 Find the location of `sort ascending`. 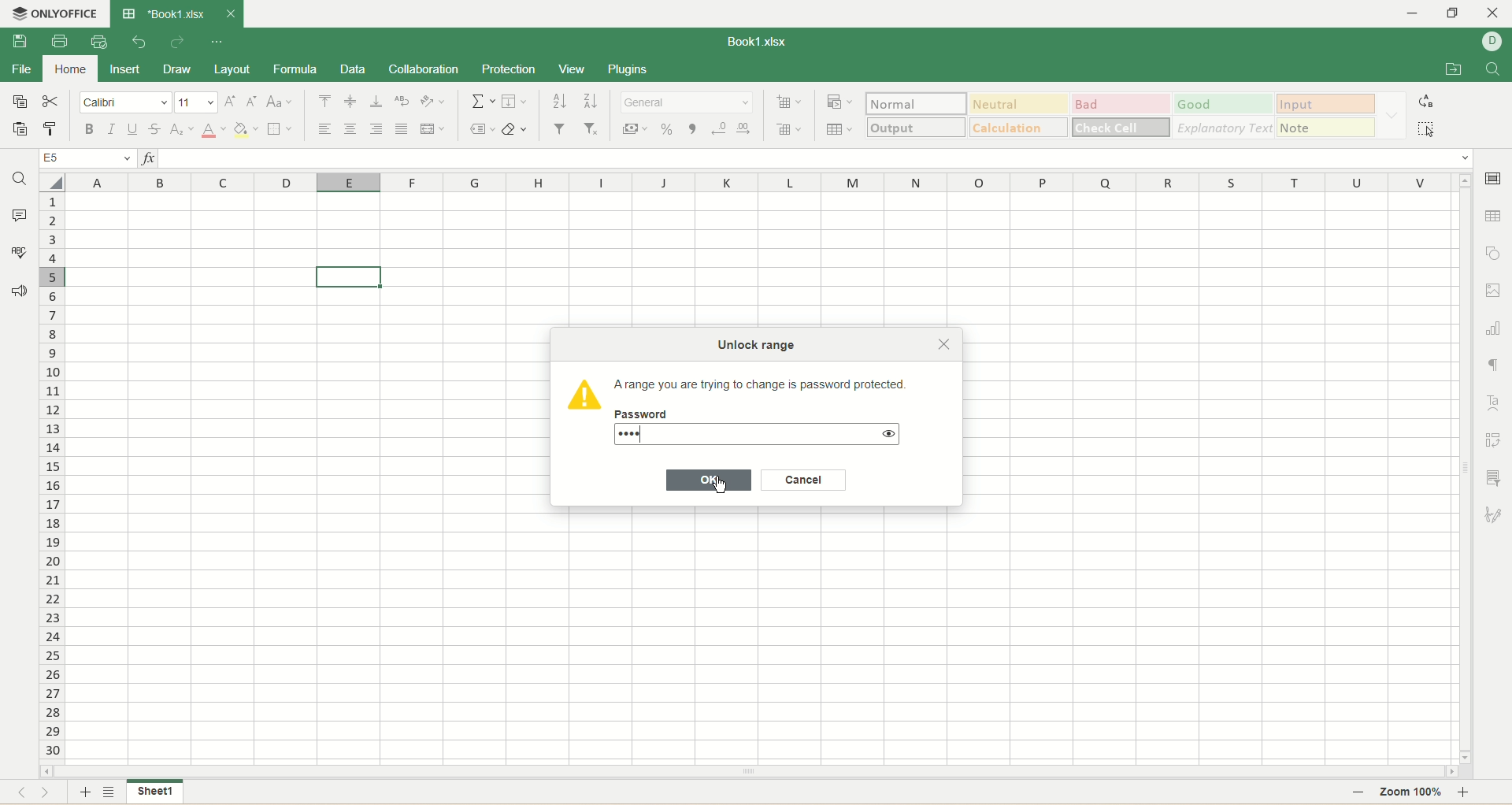

sort ascending is located at coordinates (561, 102).